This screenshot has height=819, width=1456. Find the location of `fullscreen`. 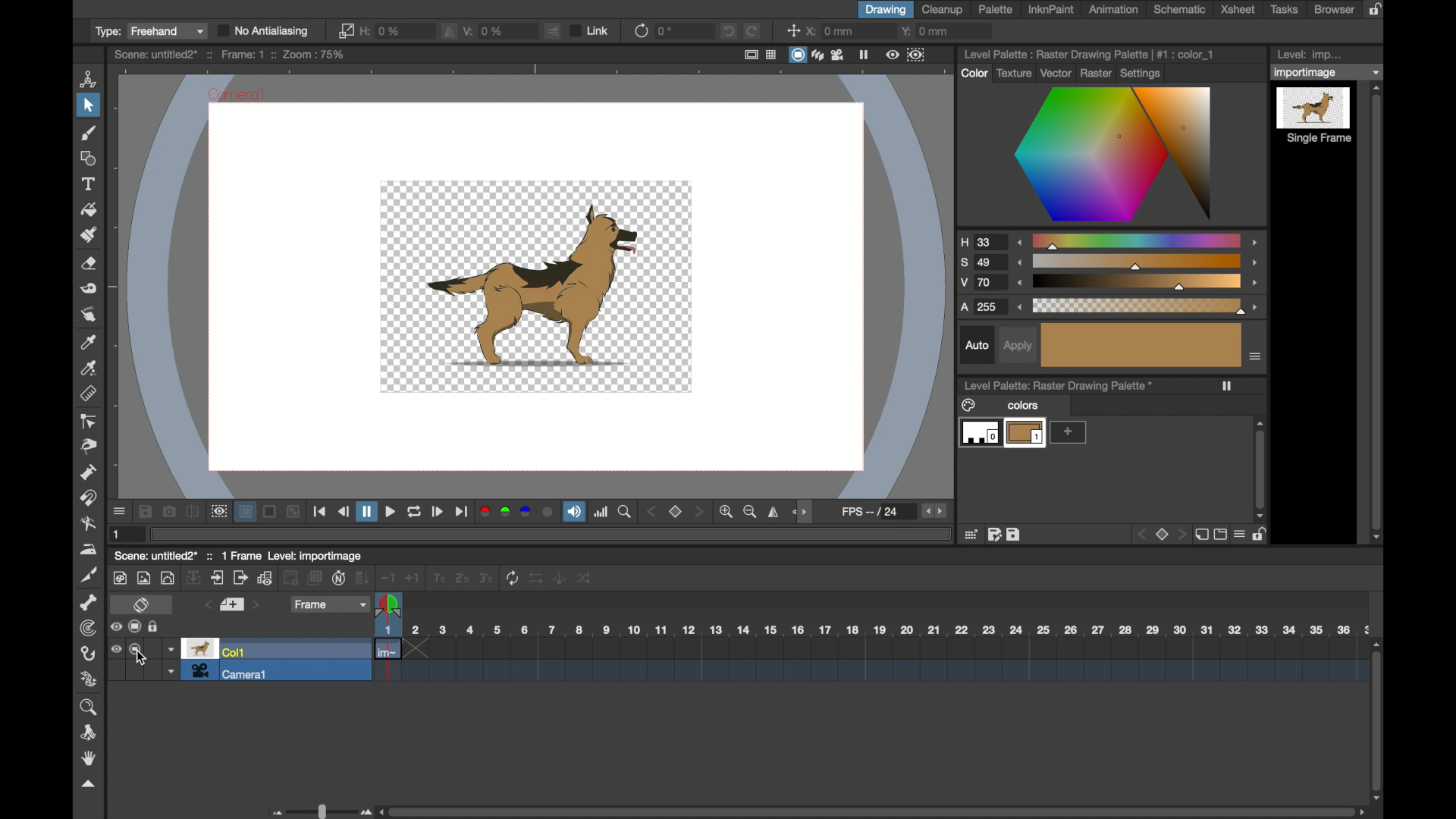

fullscreen is located at coordinates (751, 55).